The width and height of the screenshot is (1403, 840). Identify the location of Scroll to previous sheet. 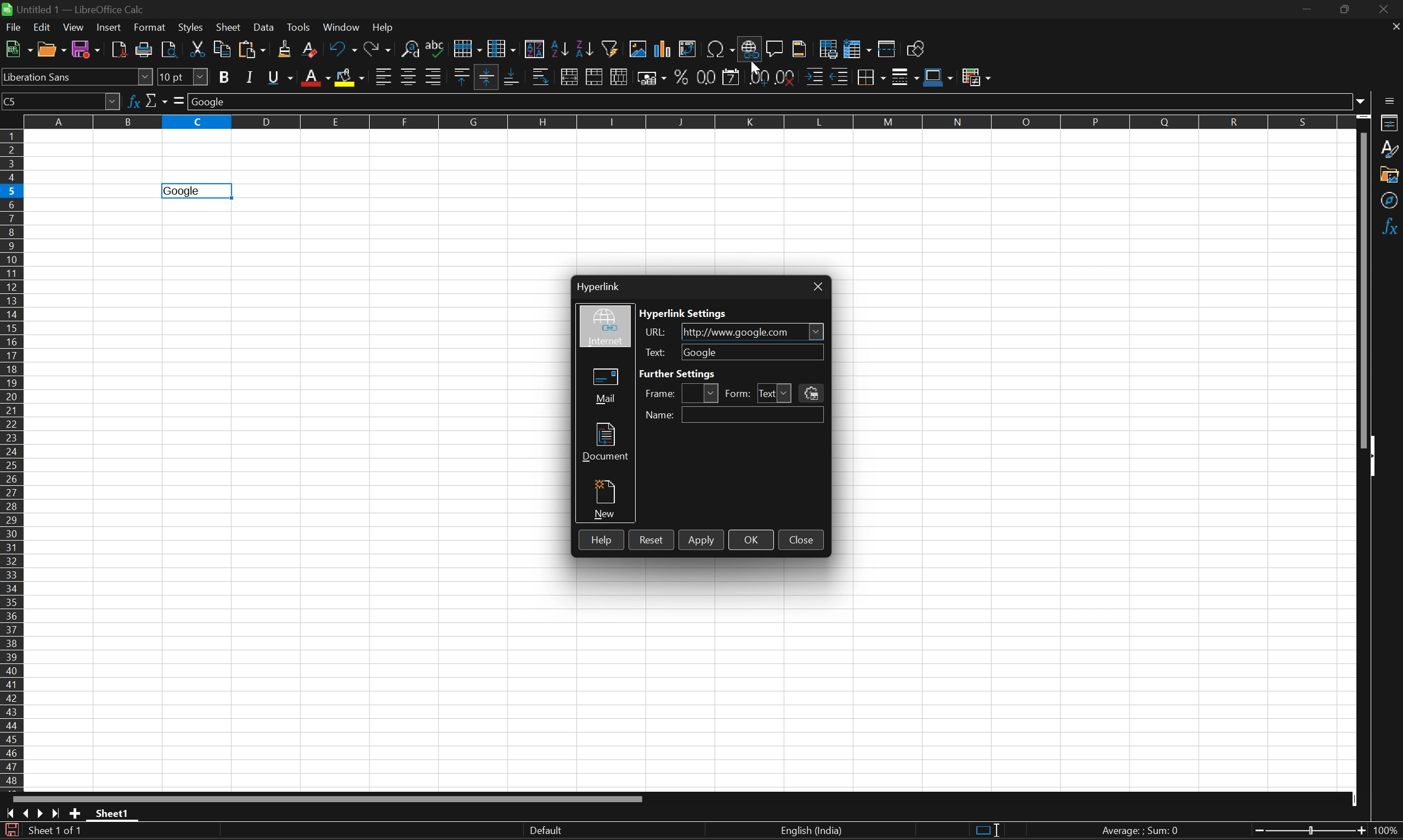
(27, 813).